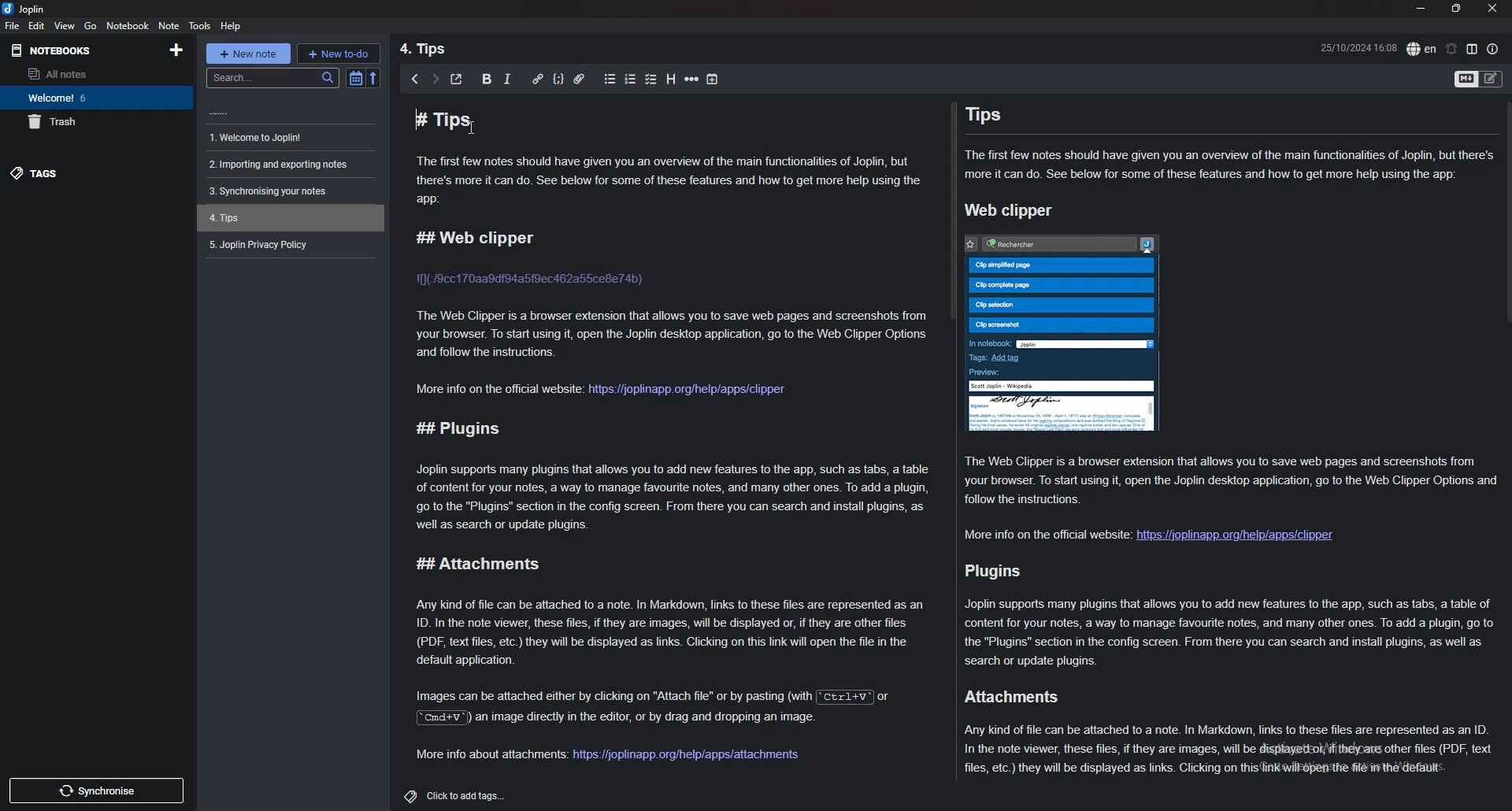 This screenshot has width=1512, height=811. I want to click on , so click(220, 113).